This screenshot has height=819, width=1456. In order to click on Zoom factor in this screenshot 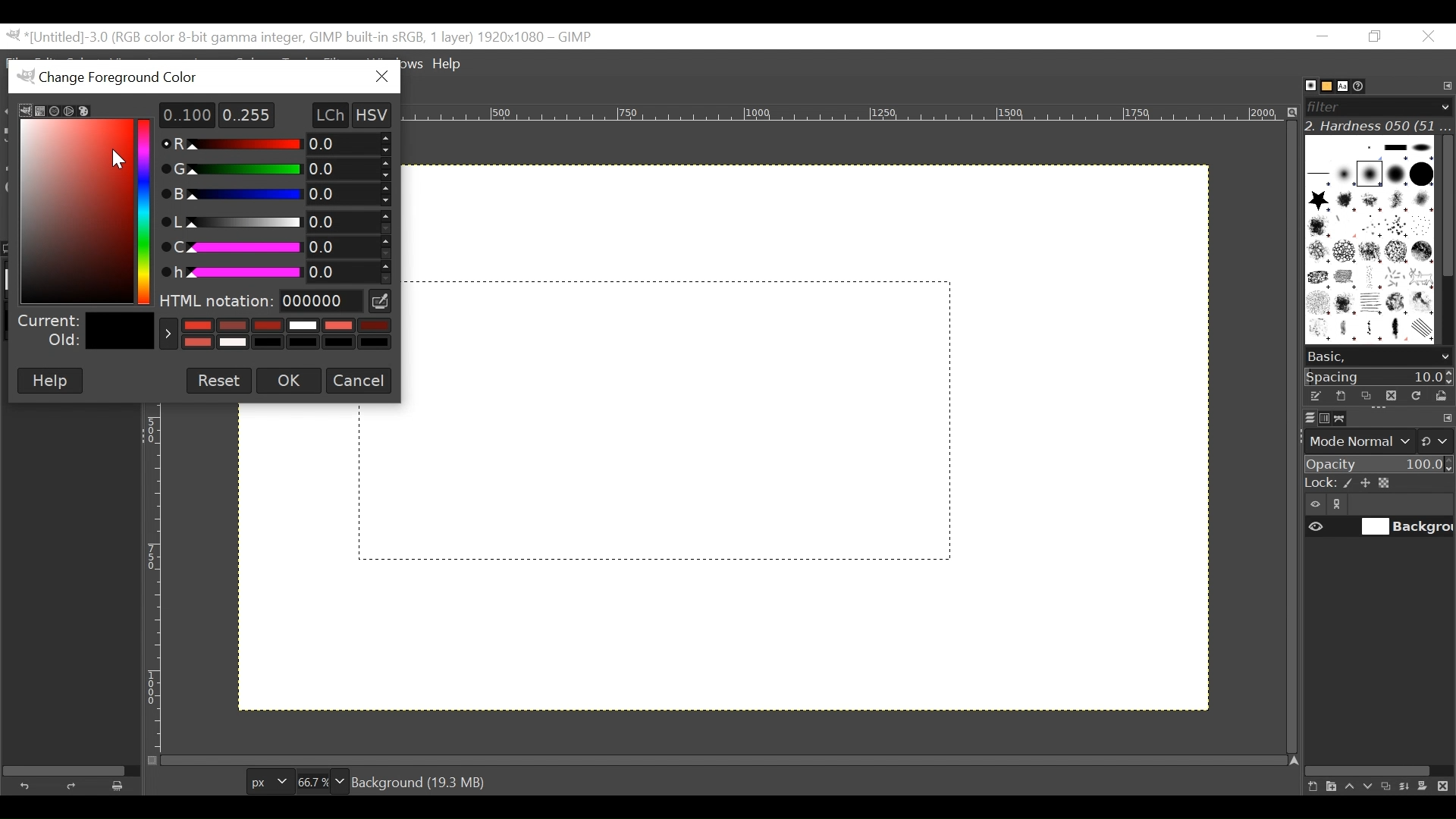, I will do `click(322, 780)`.